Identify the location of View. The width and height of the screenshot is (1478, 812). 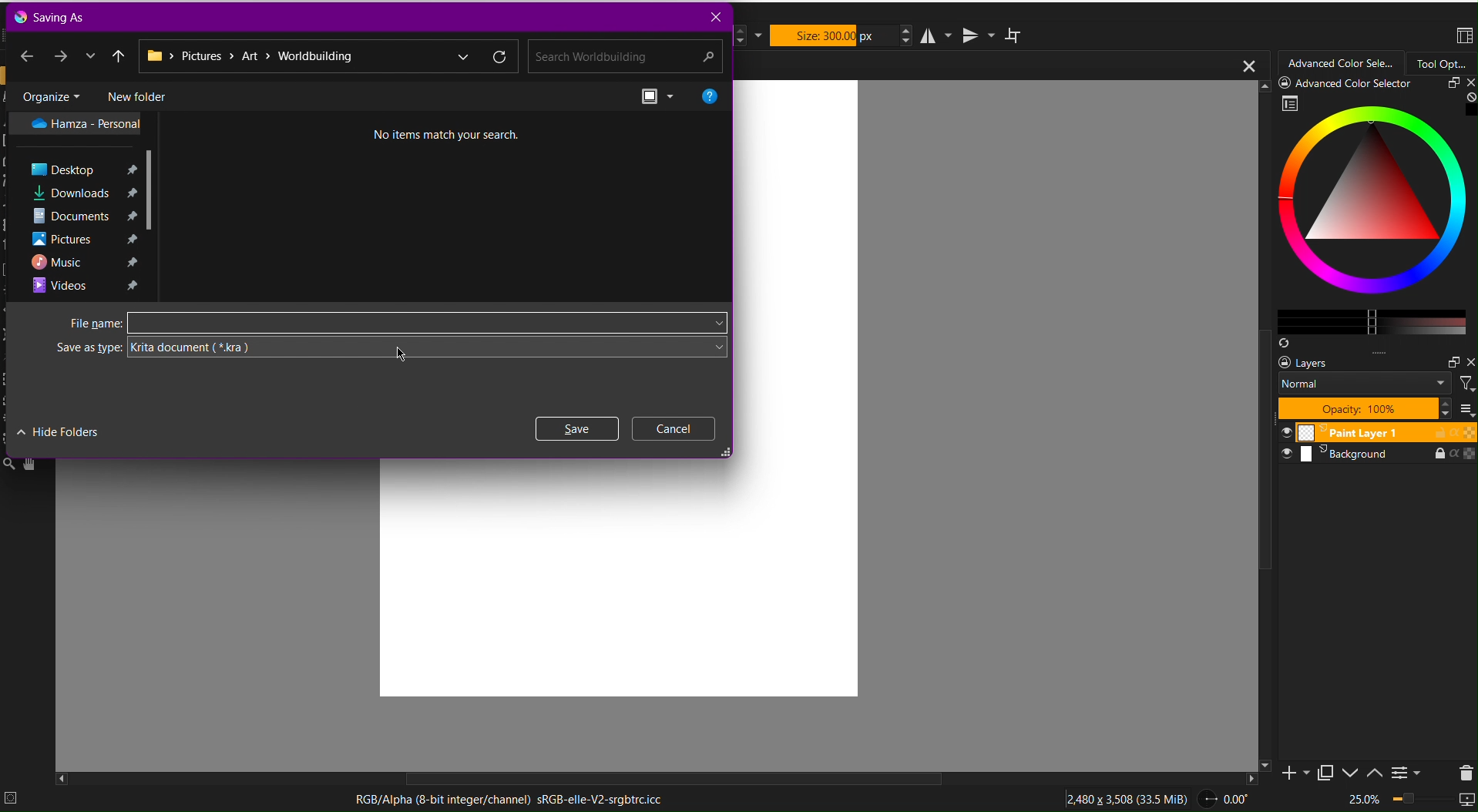
(660, 96).